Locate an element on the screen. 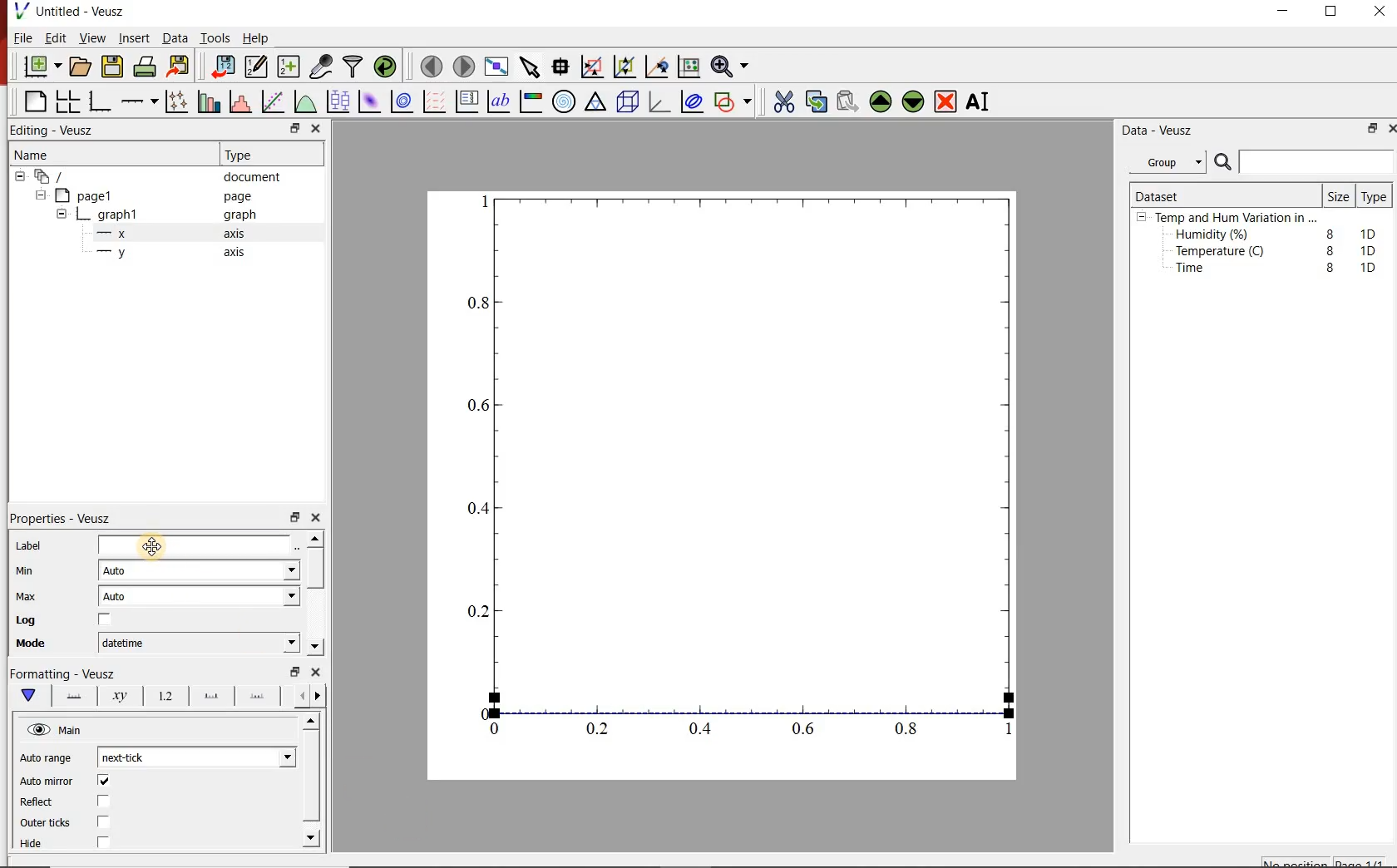 This screenshot has width=1397, height=868. 0.4 is located at coordinates (475, 509).